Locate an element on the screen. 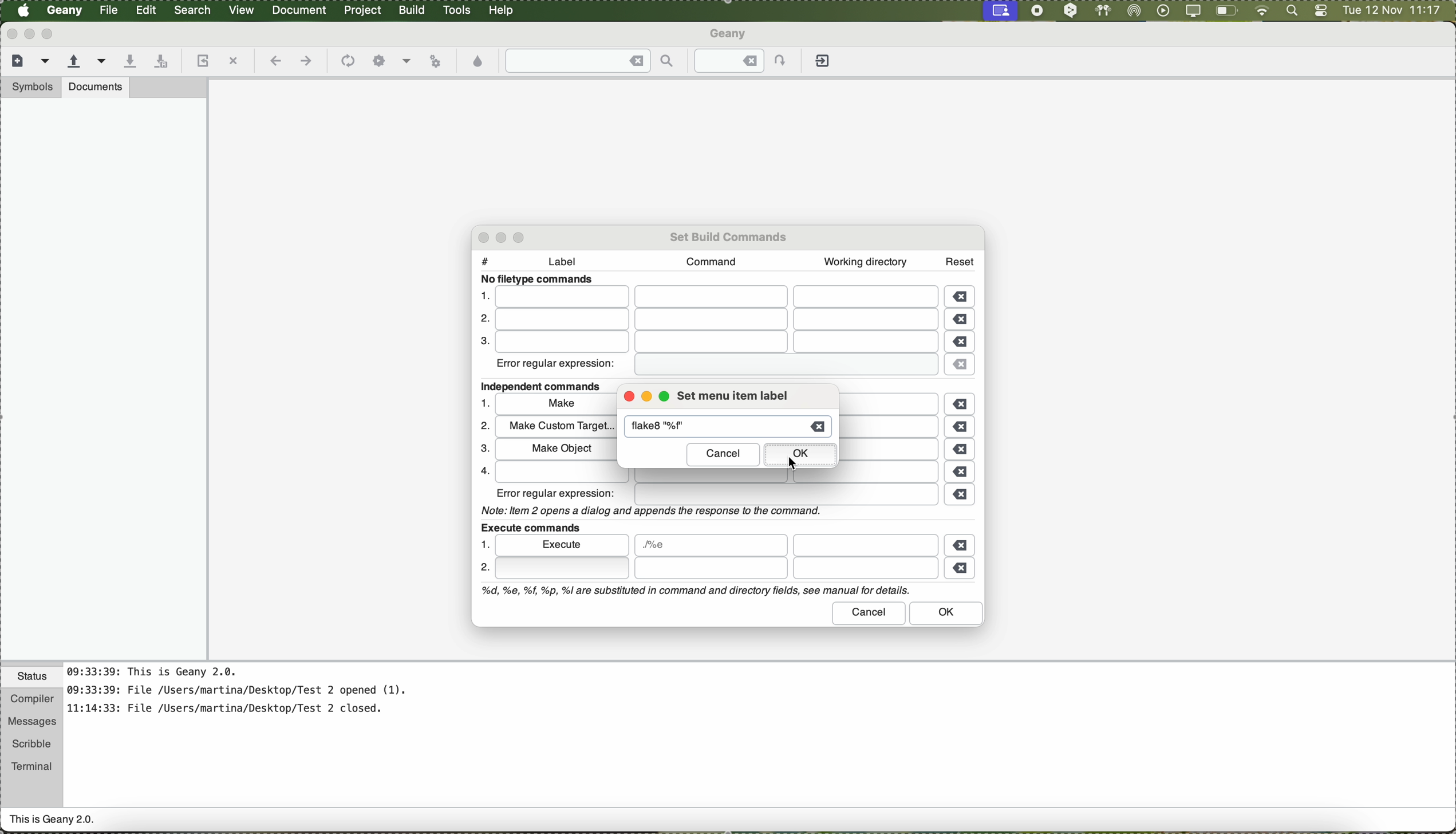  set menu item label is located at coordinates (732, 396).